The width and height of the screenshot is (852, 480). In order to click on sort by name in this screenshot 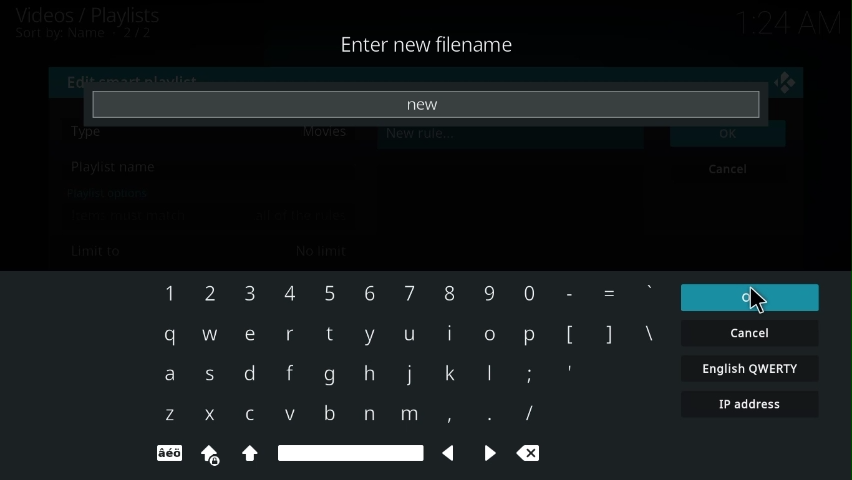, I will do `click(87, 36)`.